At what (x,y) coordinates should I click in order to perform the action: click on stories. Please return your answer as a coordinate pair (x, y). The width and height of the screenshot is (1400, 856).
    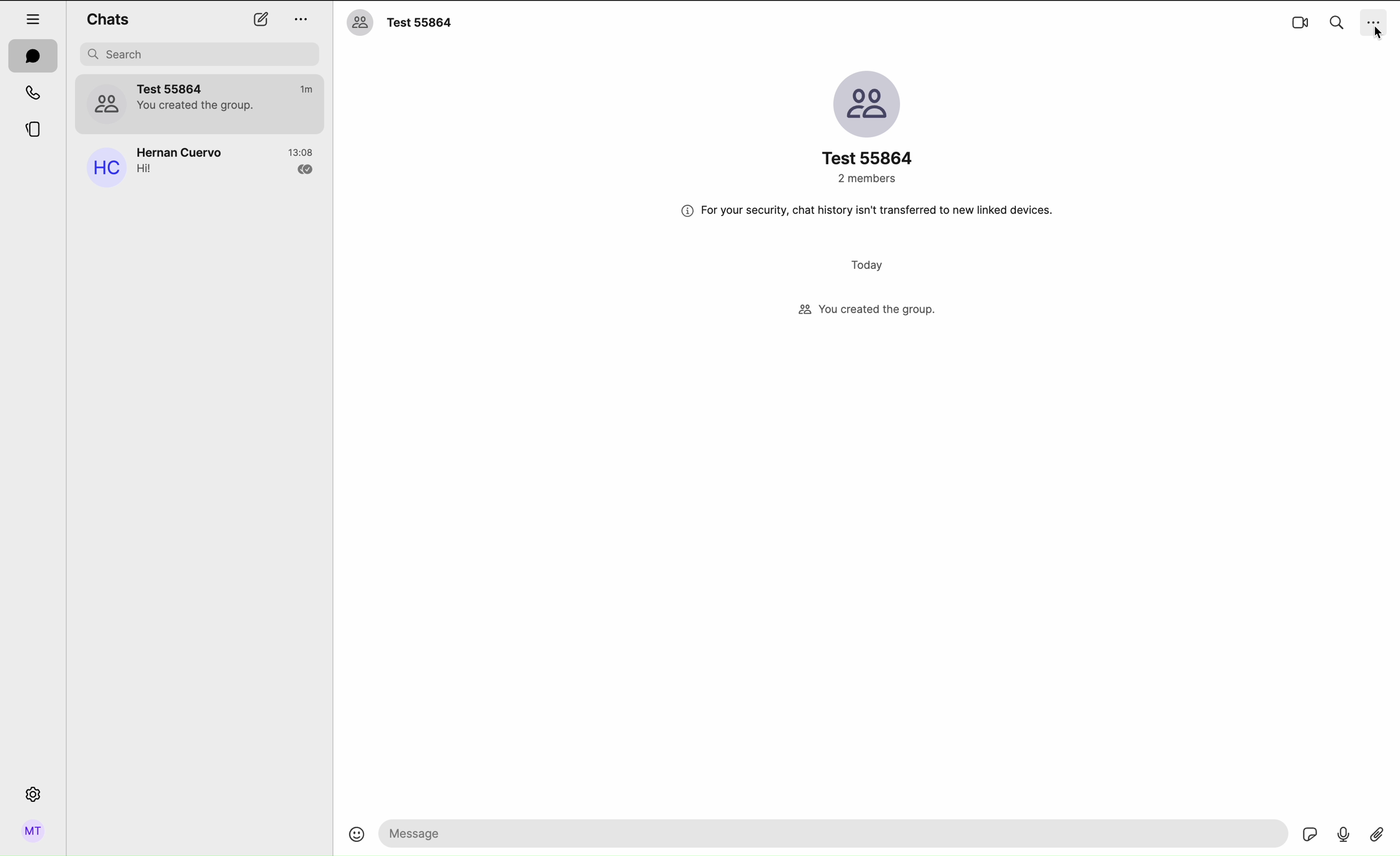
    Looking at the image, I should click on (31, 132).